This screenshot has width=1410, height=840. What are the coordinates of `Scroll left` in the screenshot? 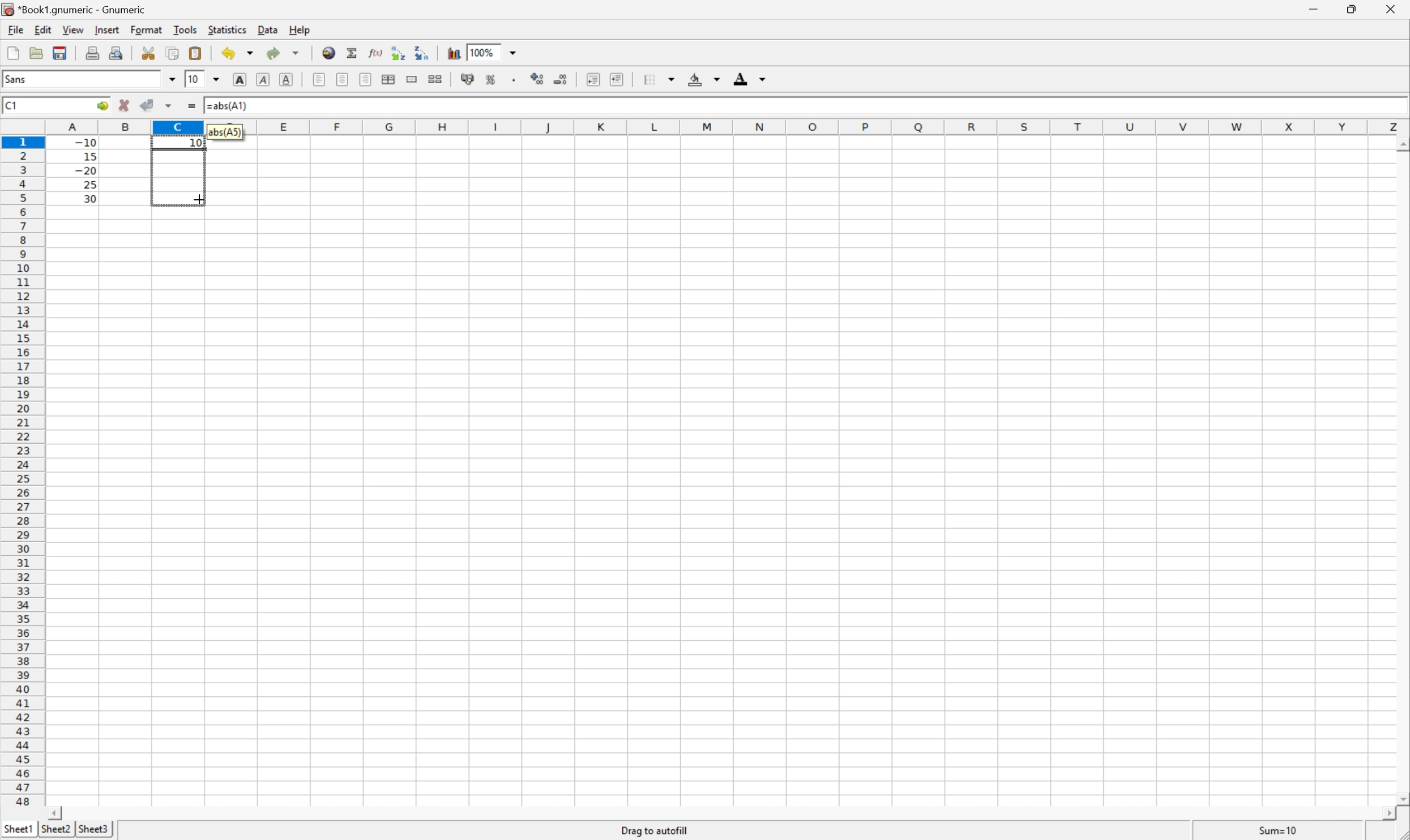 It's located at (57, 812).